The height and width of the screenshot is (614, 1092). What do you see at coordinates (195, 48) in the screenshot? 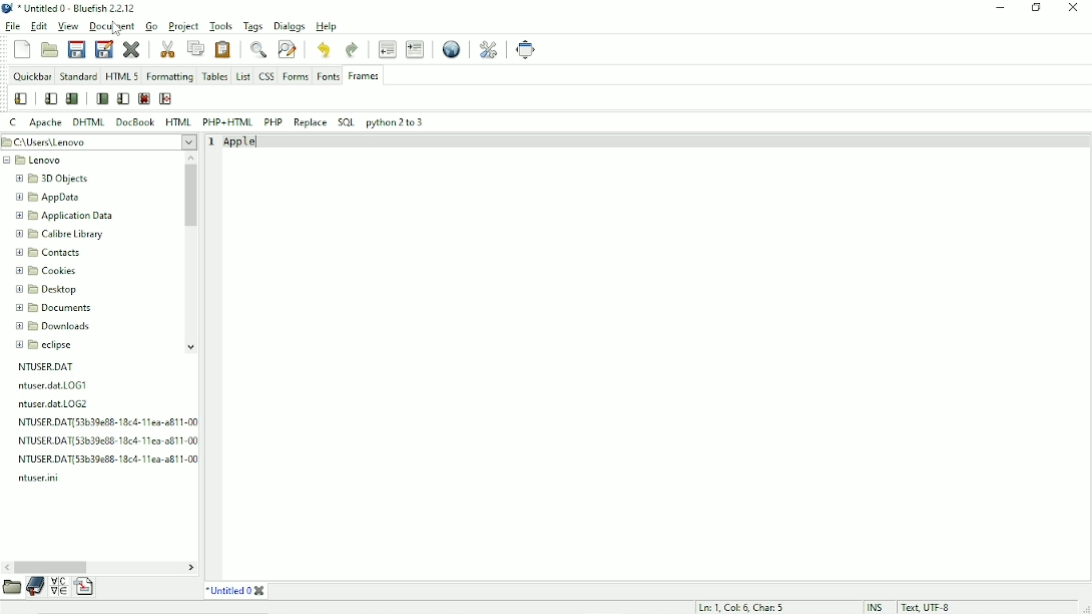
I see `Copy` at bounding box center [195, 48].